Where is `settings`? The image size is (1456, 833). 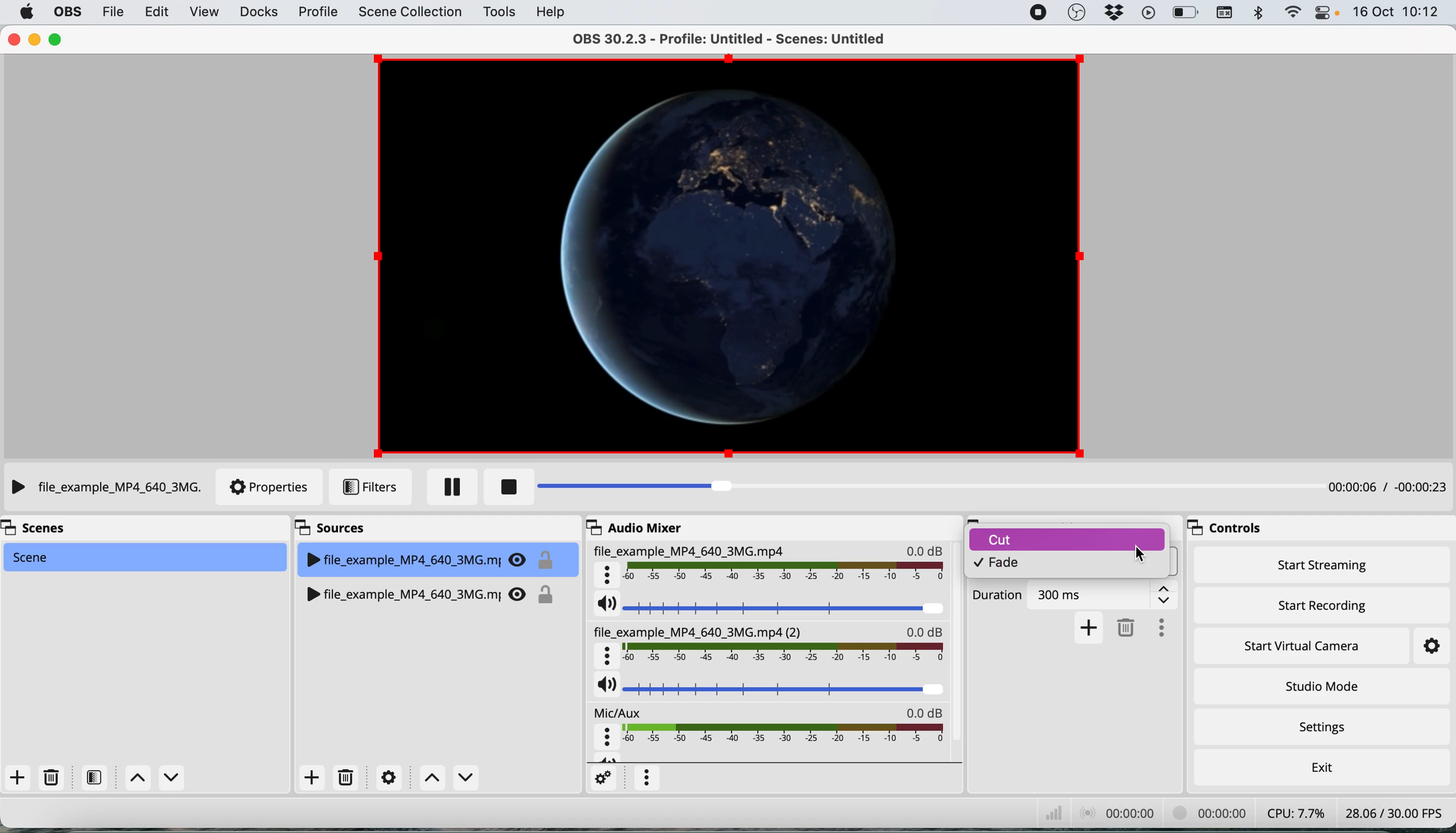
settings is located at coordinates (1434, 645).